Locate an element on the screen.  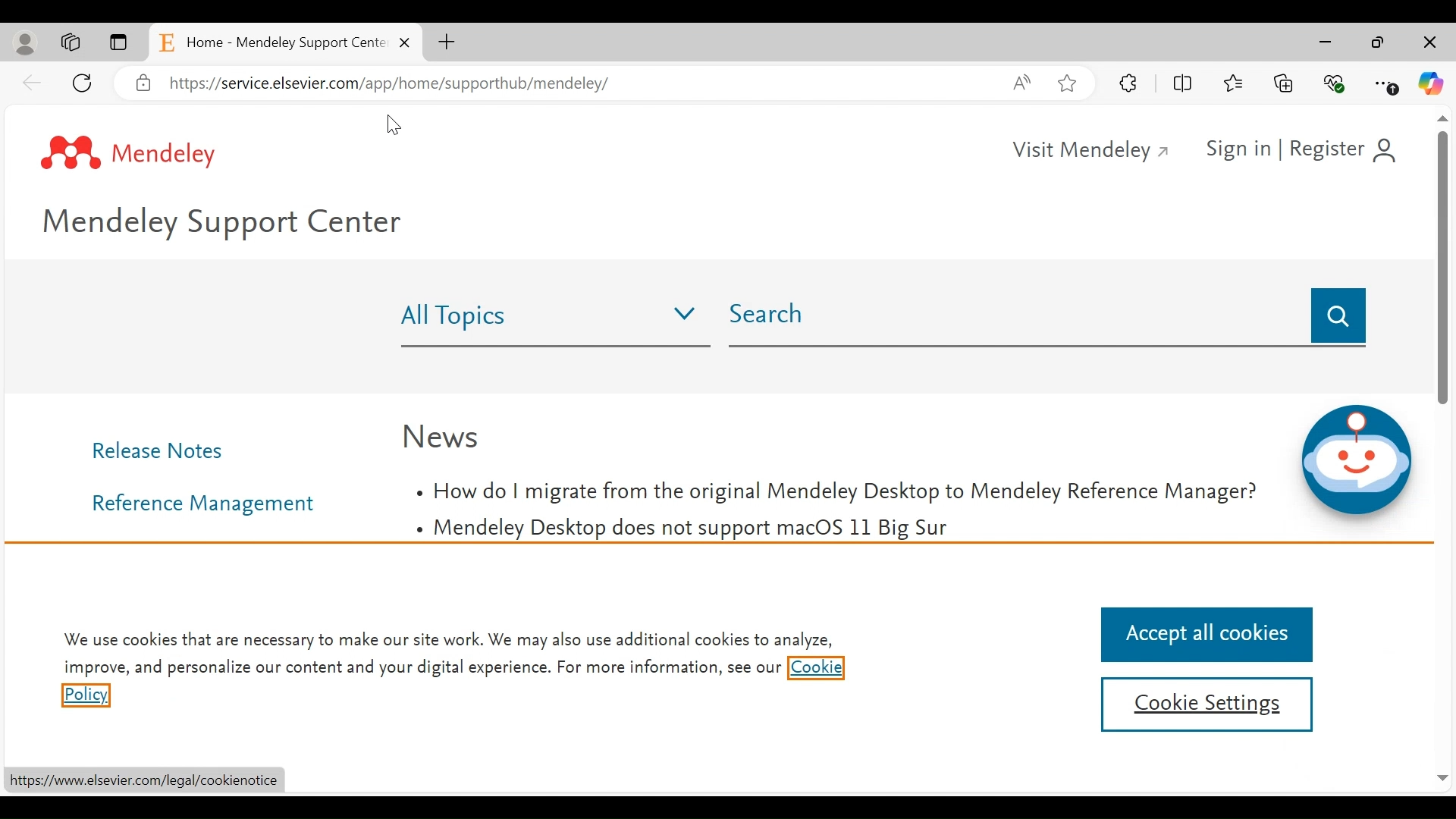
Search is located at coordinates (1337, 316).